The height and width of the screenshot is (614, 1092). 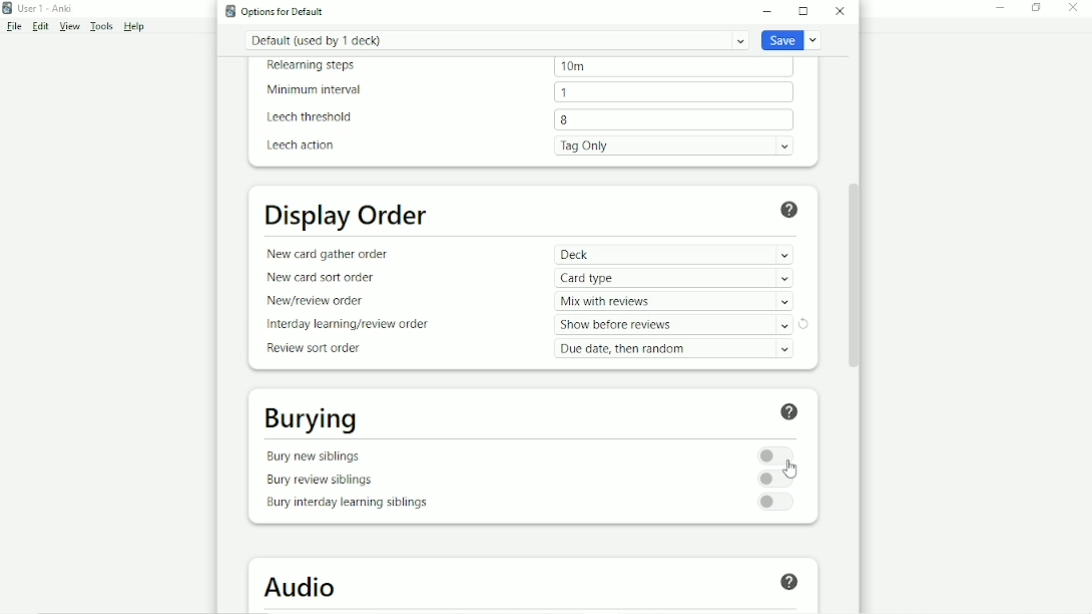 I want to click on Save, so click(x=792, y=41).